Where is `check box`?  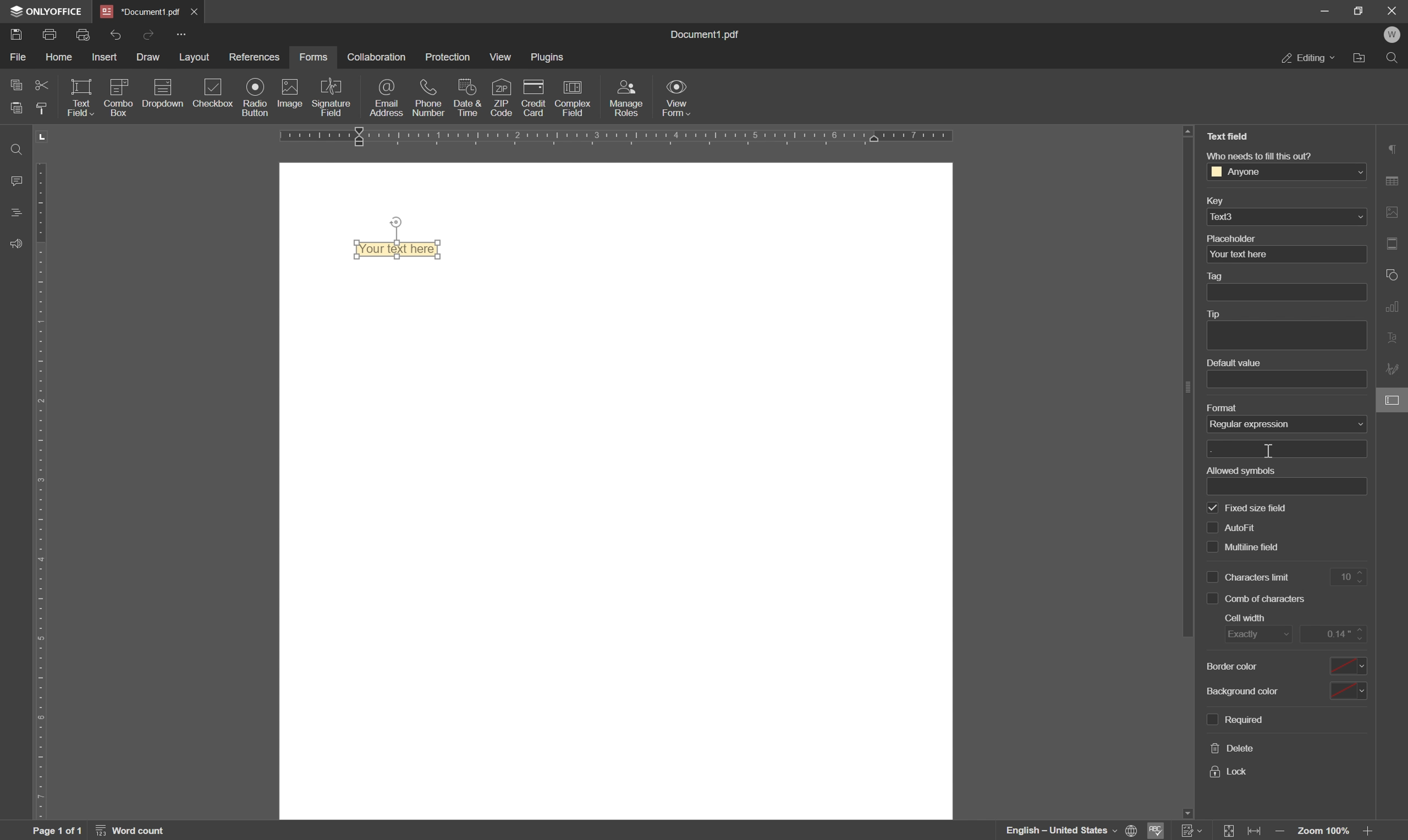
check box is located at coordinates (1212, 599).